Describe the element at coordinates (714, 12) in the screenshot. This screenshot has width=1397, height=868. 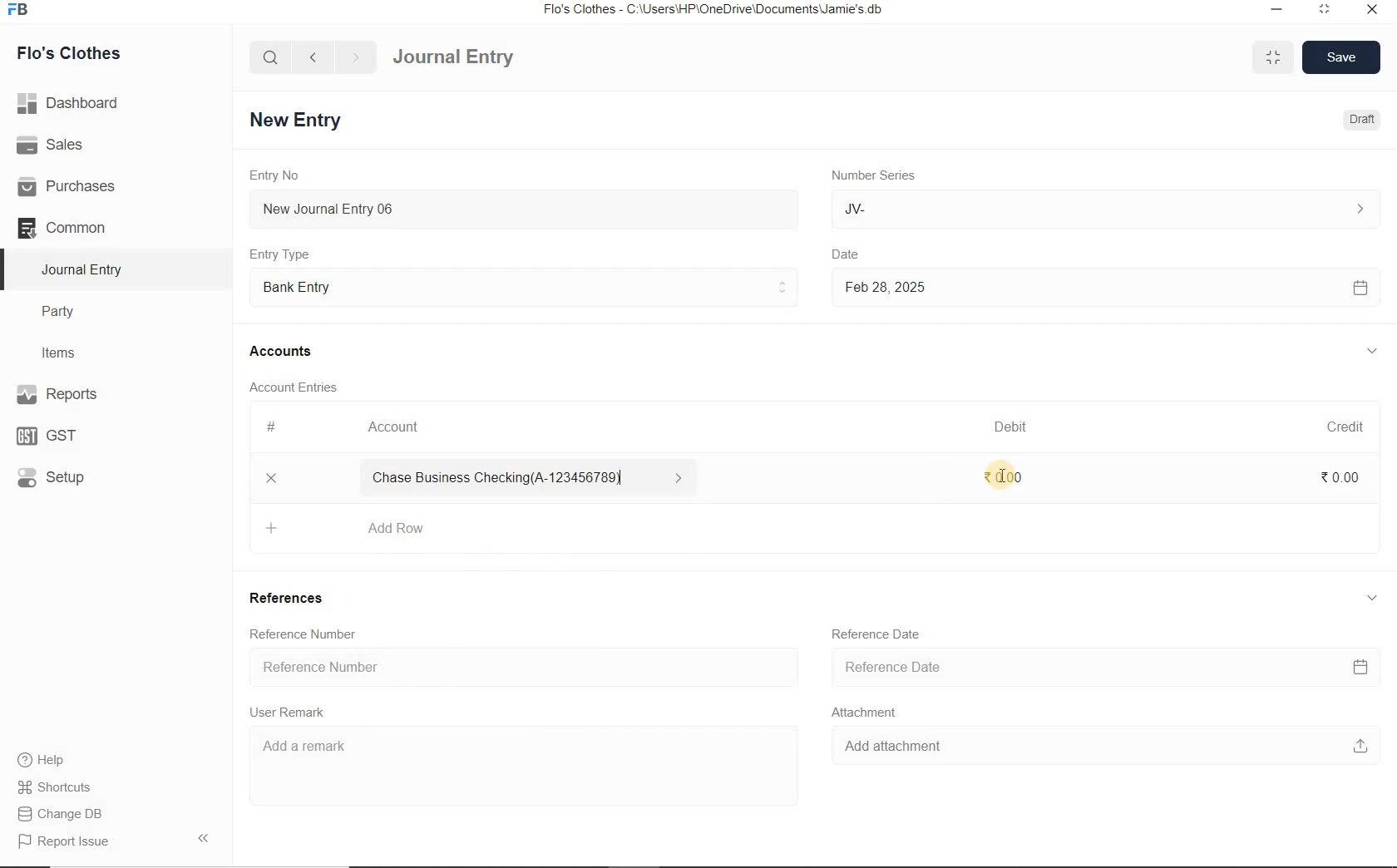
I see `Flo's Clothes - C:\Users\HP\OneDrive\Documents\Jamie's.db` at that location.